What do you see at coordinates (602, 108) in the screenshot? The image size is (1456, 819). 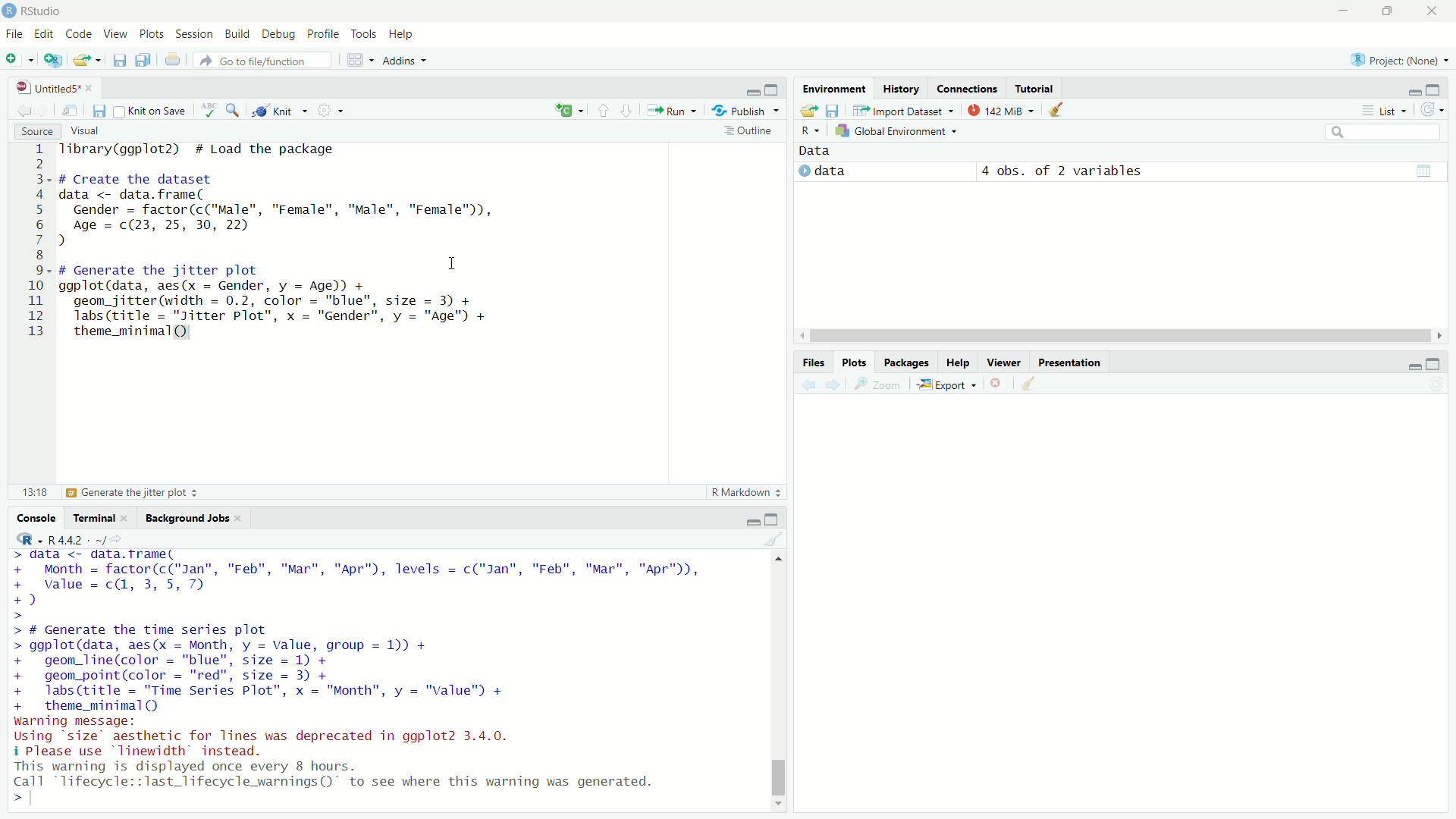 I see `go to previous chunk/section` at bounding box center [602, 108].